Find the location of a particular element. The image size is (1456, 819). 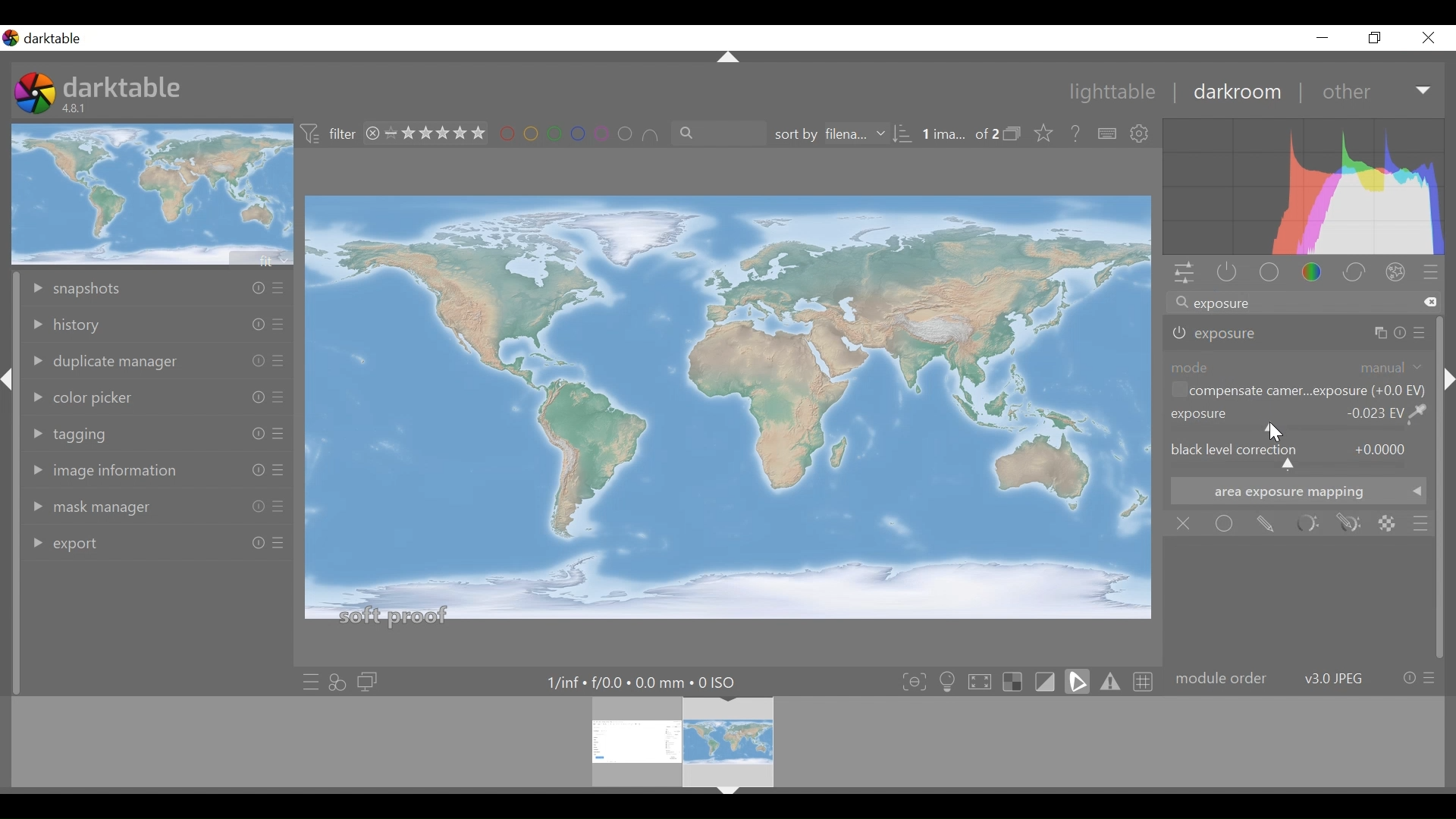

display a second darkroom image is located at coordinates (370, 682).